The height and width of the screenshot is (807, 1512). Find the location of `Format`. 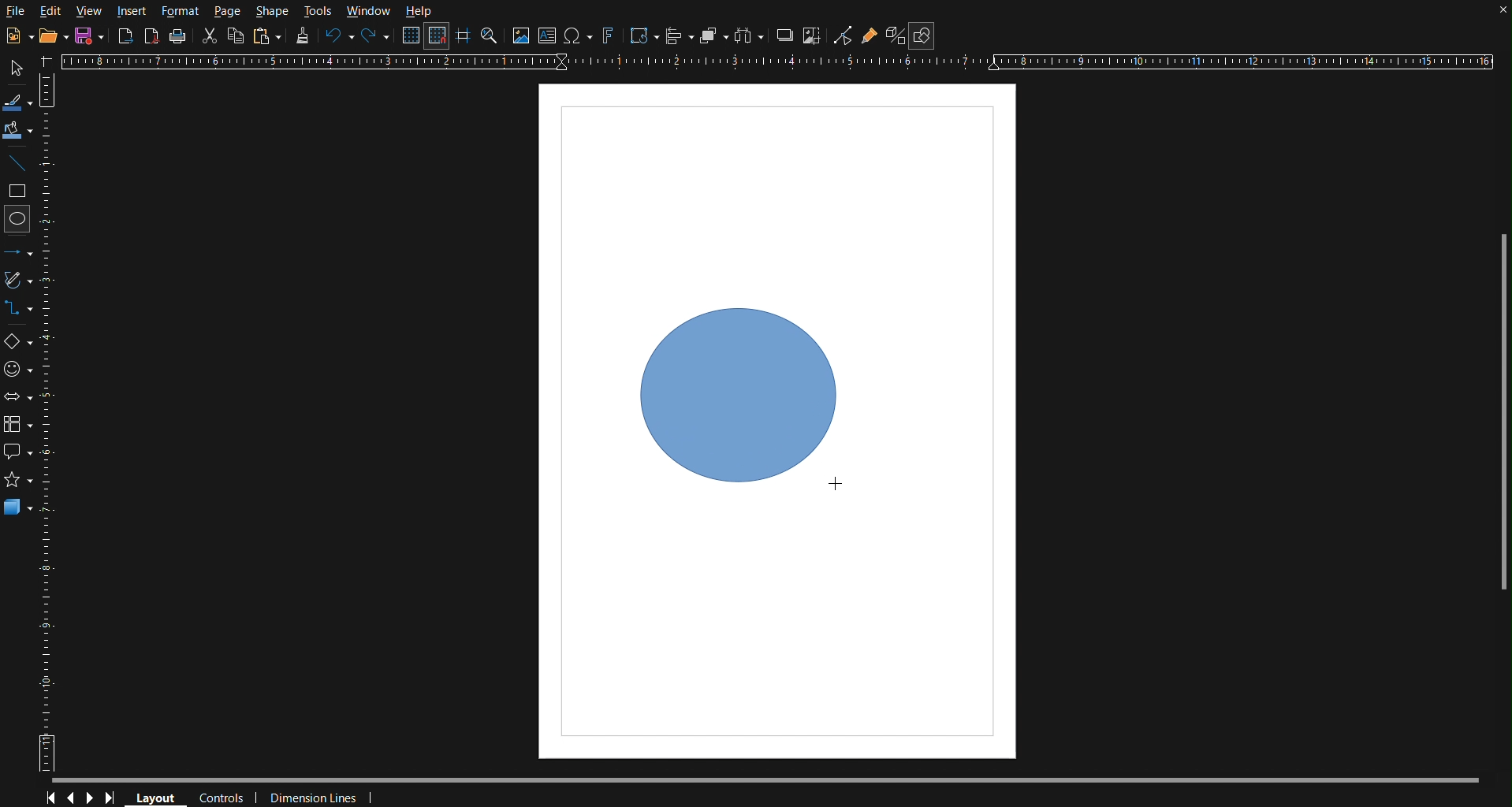

Format is located at coordinates (184, 9).